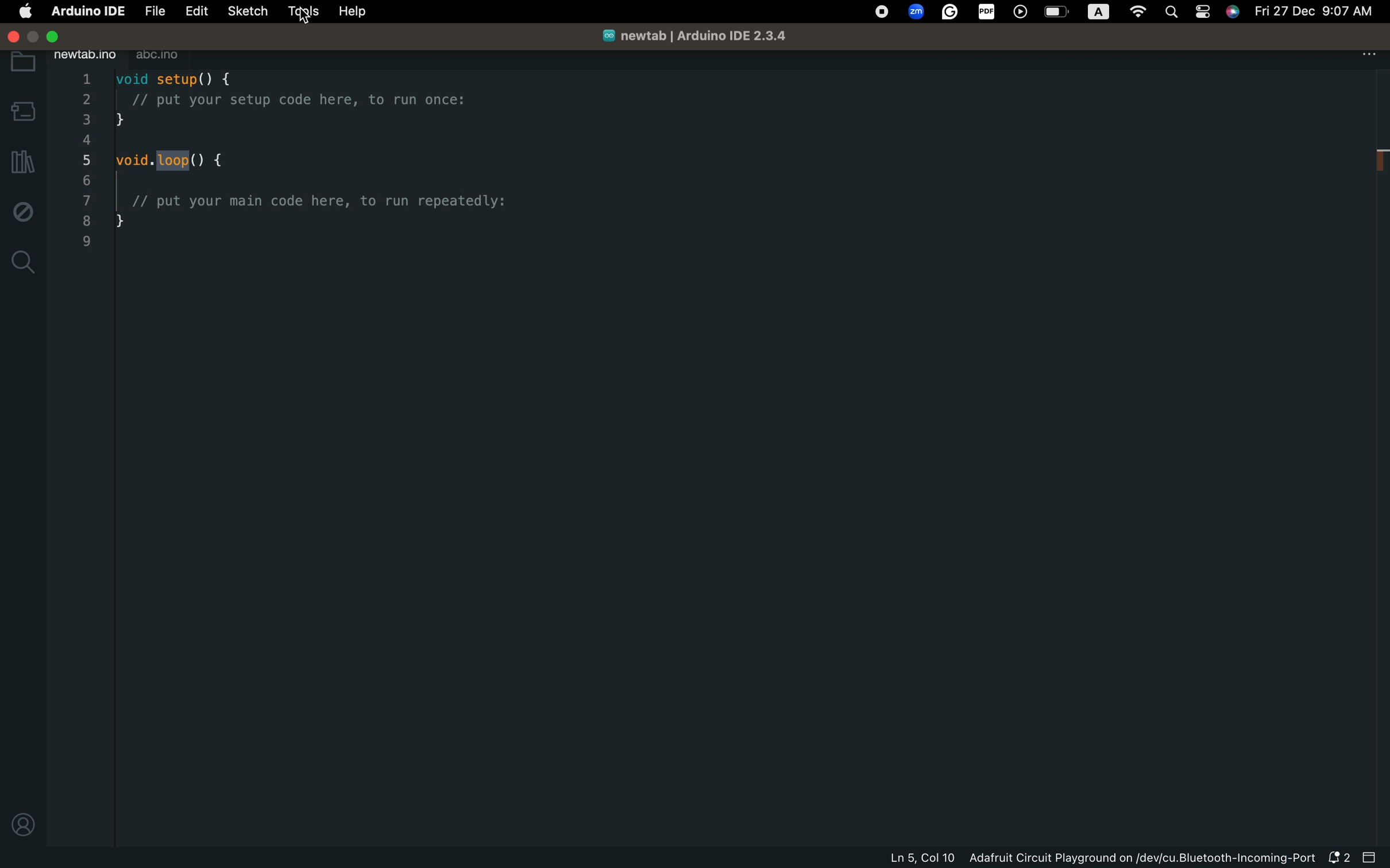 The width and height of the screenshot is (1390, 868). What do you see at coordinates (24, 11) in the screenshot?
I see `main settings` at bounding box center [24, 11].